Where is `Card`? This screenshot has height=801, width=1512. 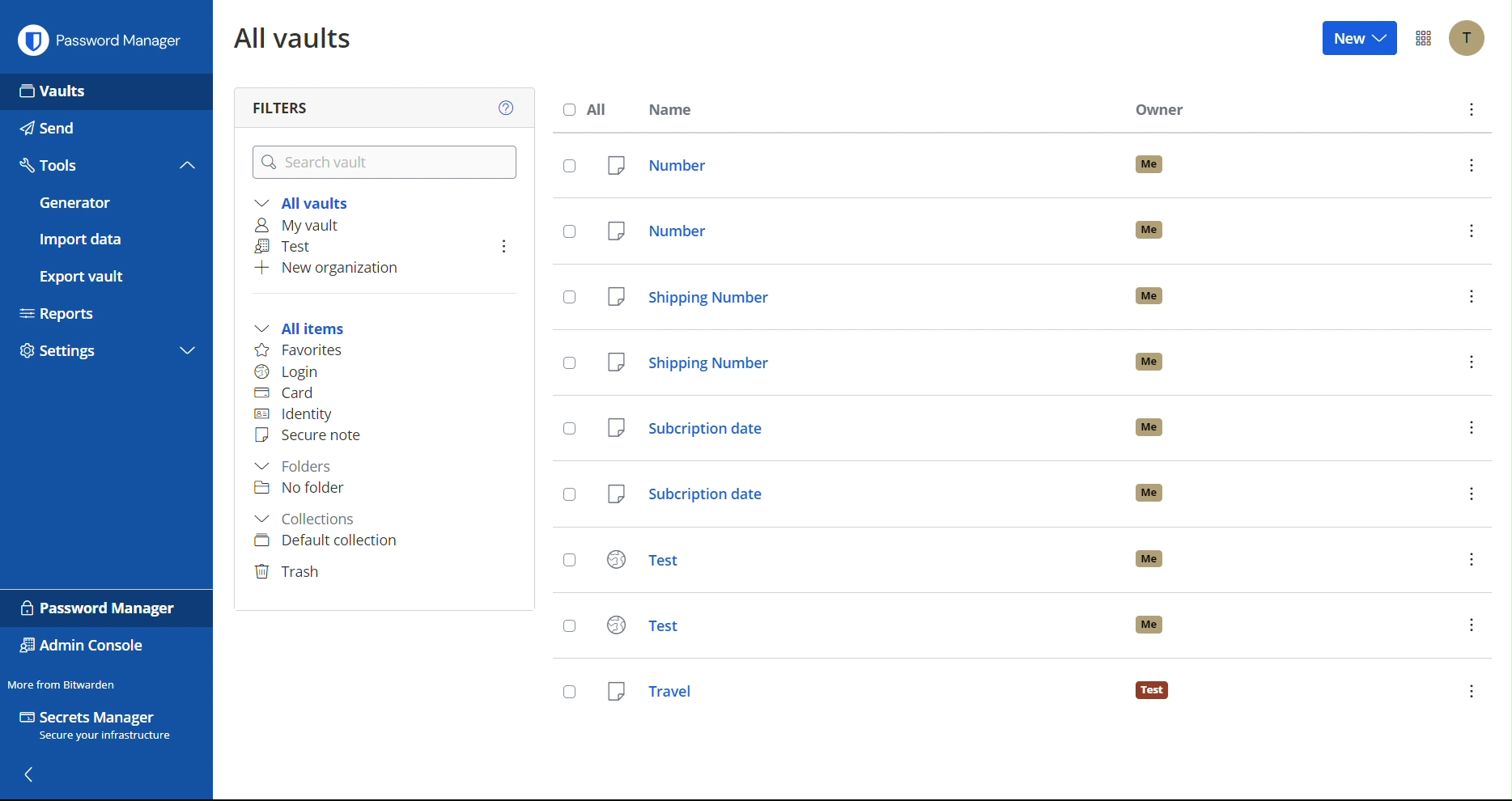
Card is located at coordinates (290, 394).